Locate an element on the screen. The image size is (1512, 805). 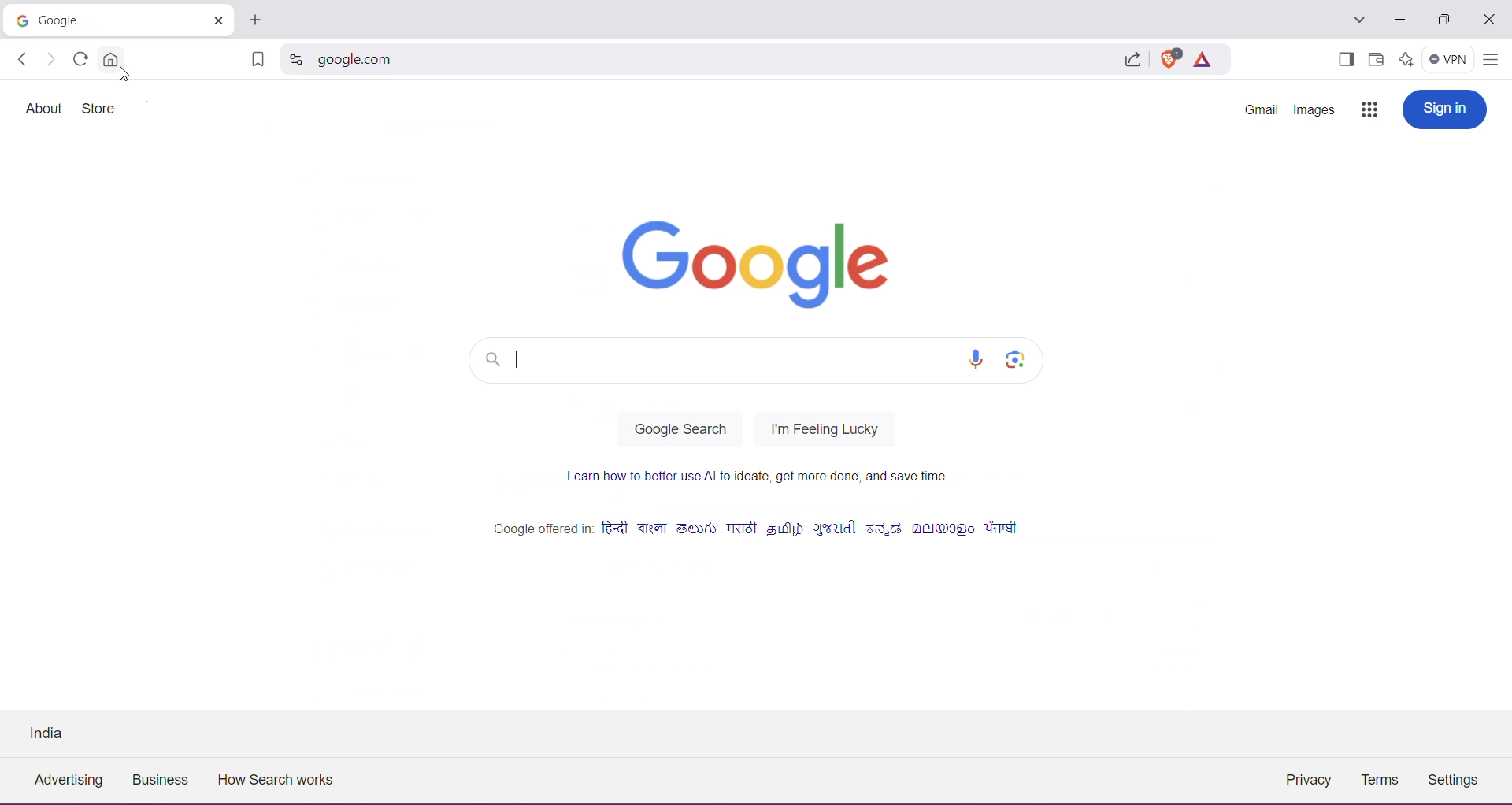
Brave Firewall + VPN is located at coordinates (1447, 57).